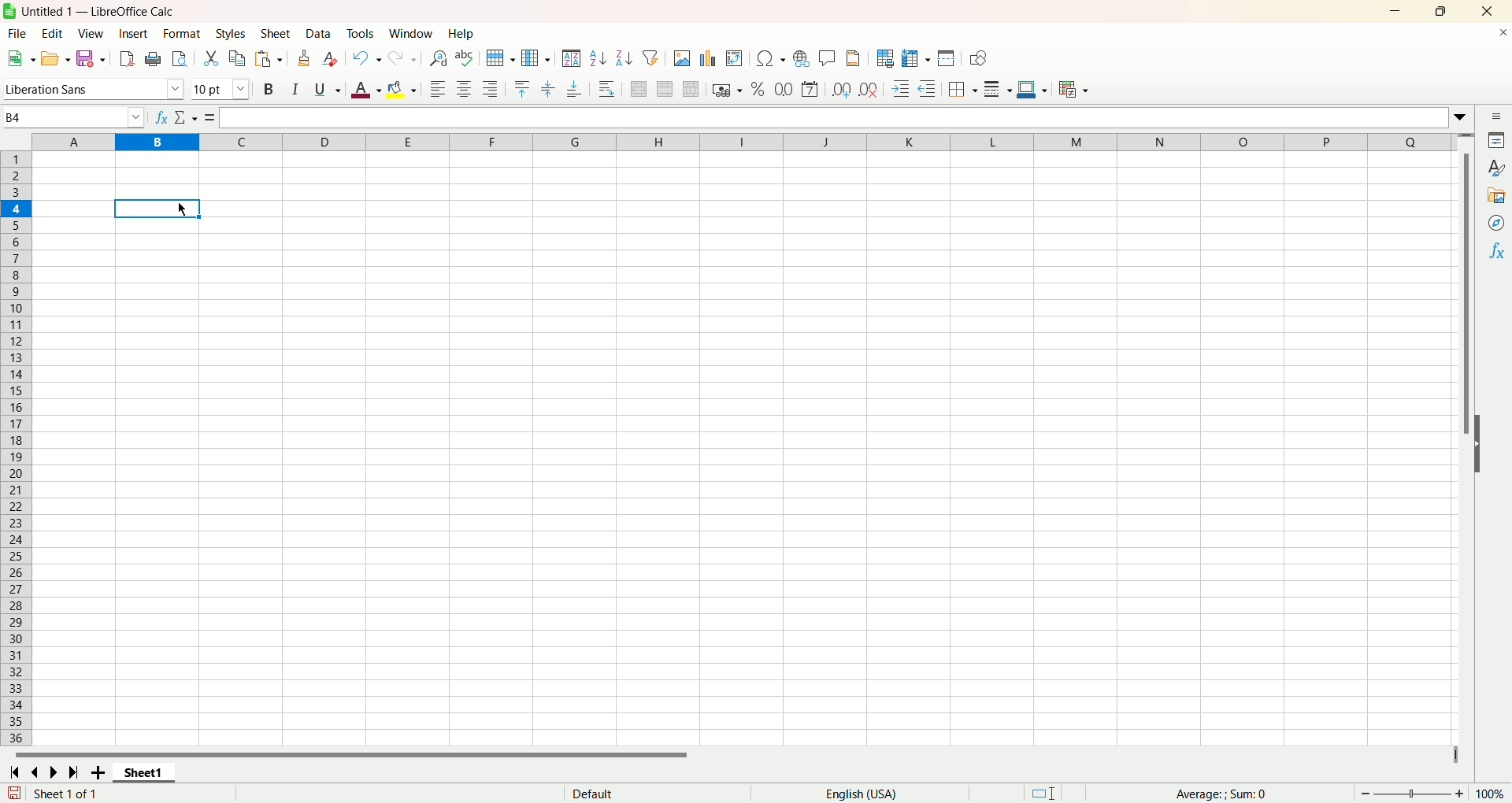 The height and width of the screenshot is (803, 1512). I want to click on wrap text, so click(608, 89).